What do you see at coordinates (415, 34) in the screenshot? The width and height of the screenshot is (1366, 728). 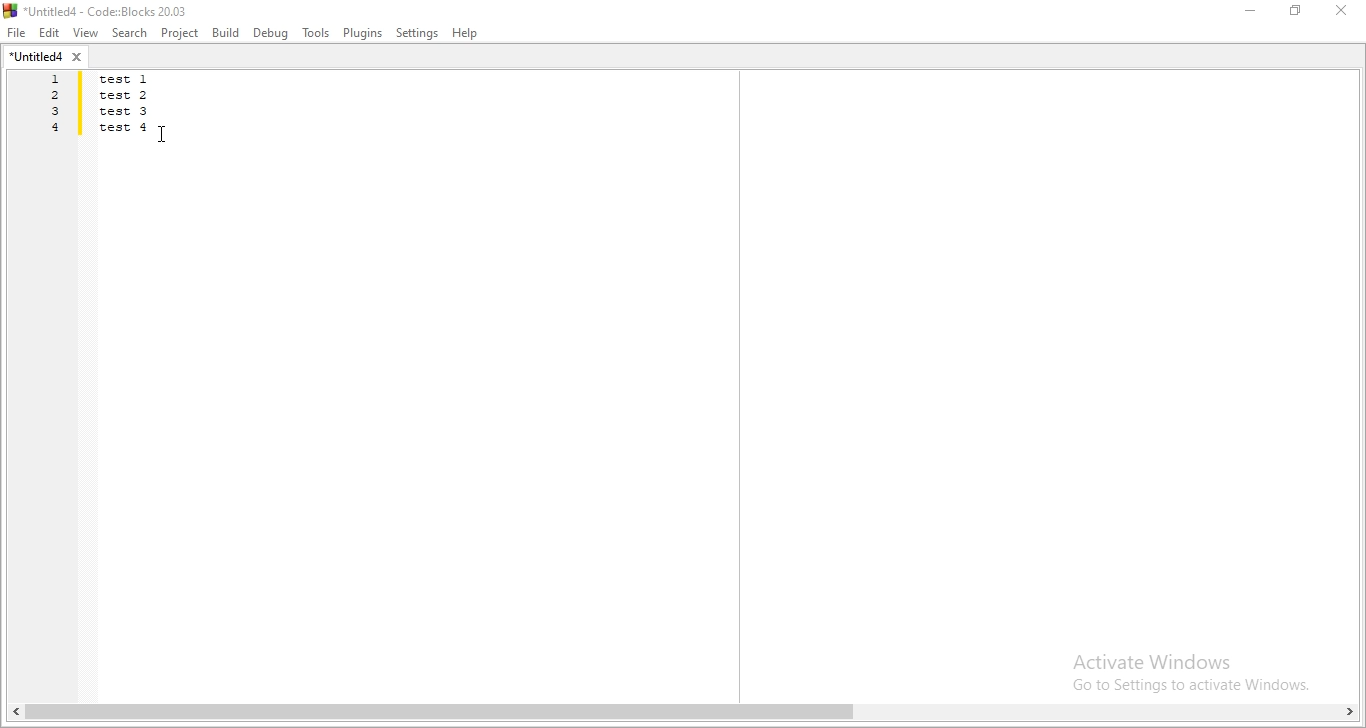 I see `Settings ` at bounding box center [415, 34].